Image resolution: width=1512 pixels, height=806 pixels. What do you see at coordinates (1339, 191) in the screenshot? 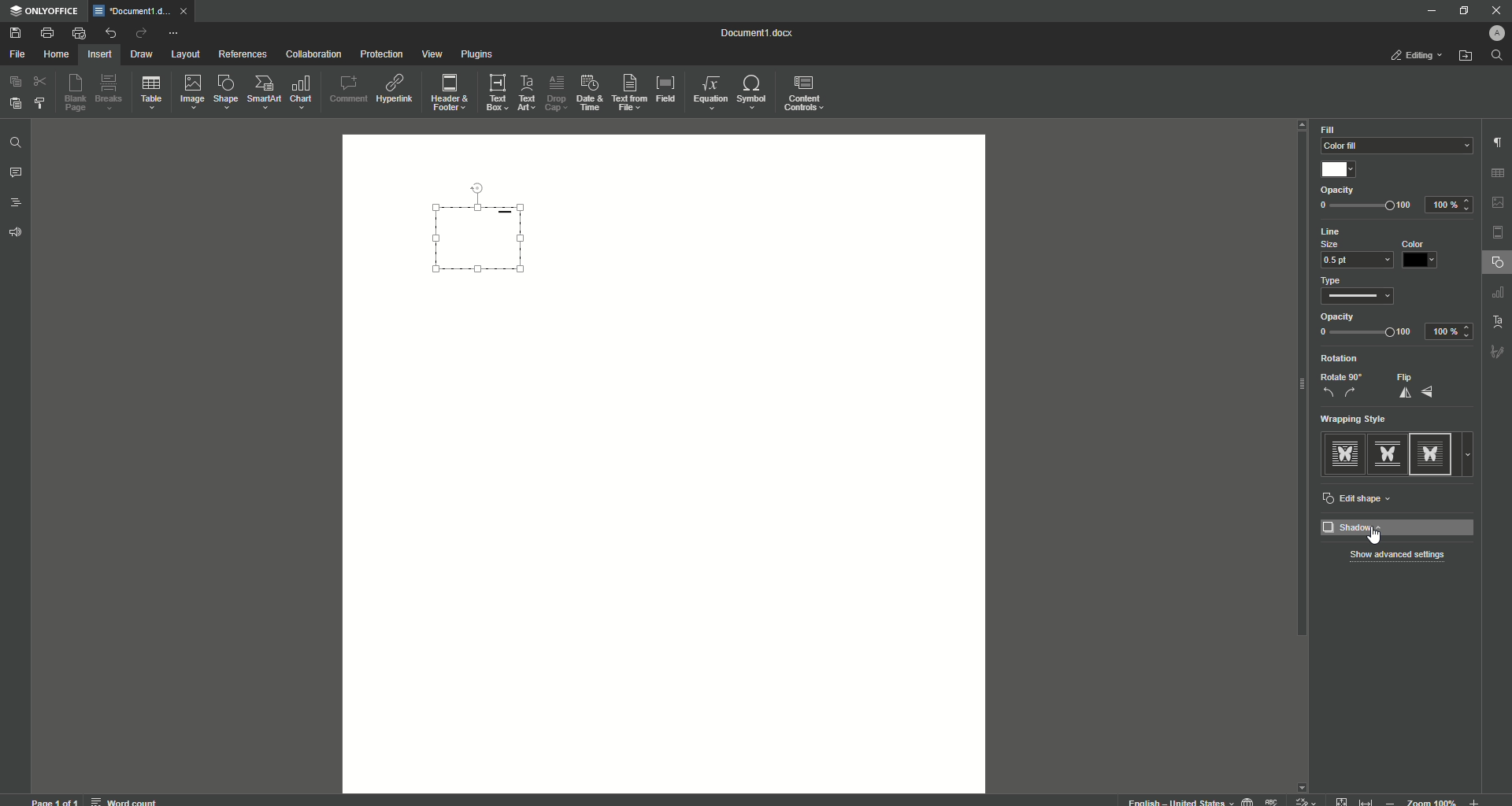
I see `Opacity` at bounding box center [1339, 191].